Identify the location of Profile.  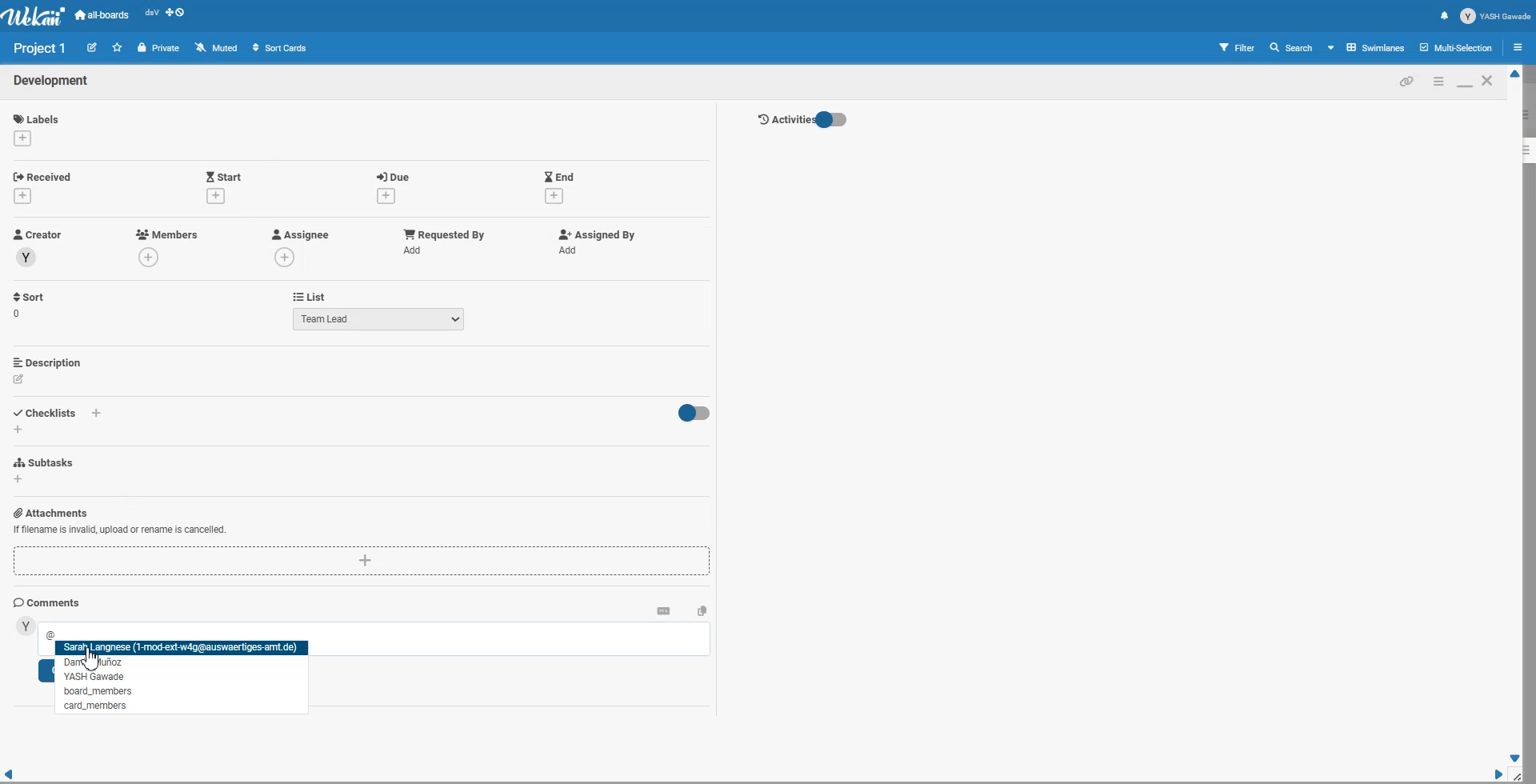
(1496, 16).